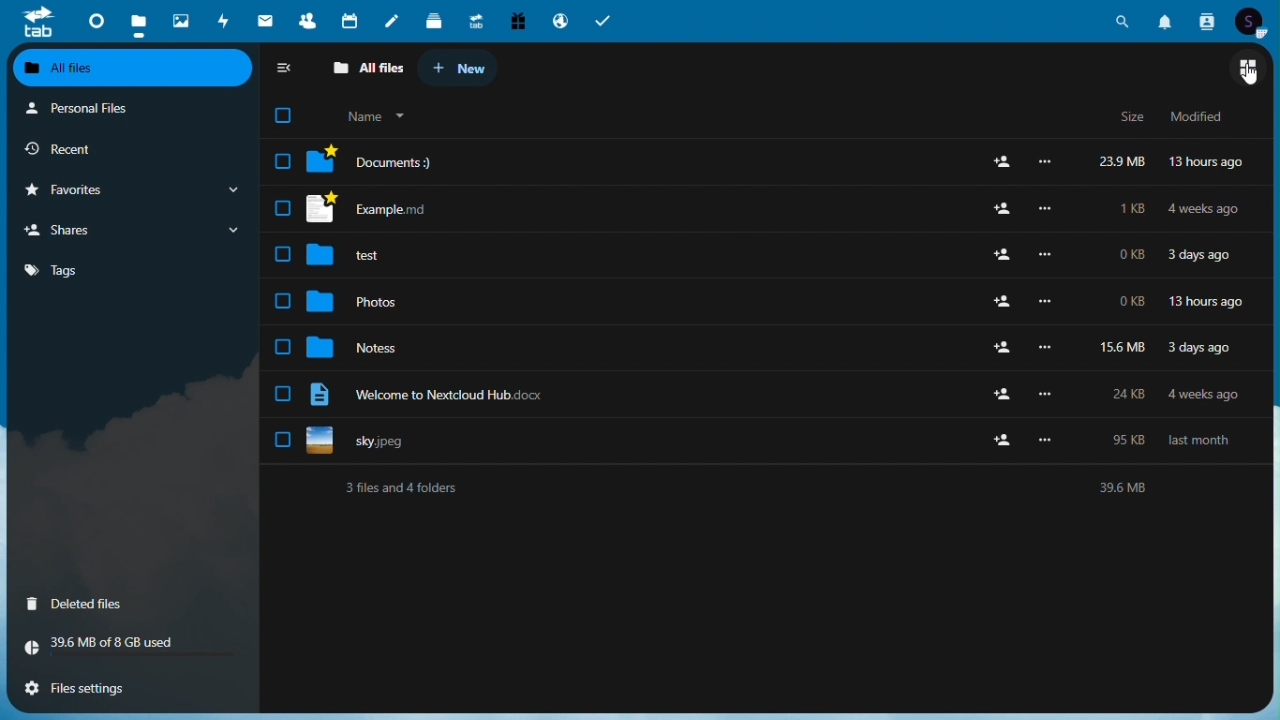 This screenshot has width=1280, height=720. Describe the element at coordinates (1204, 302) in the screenshot. I see `13 hours ago` at that location.